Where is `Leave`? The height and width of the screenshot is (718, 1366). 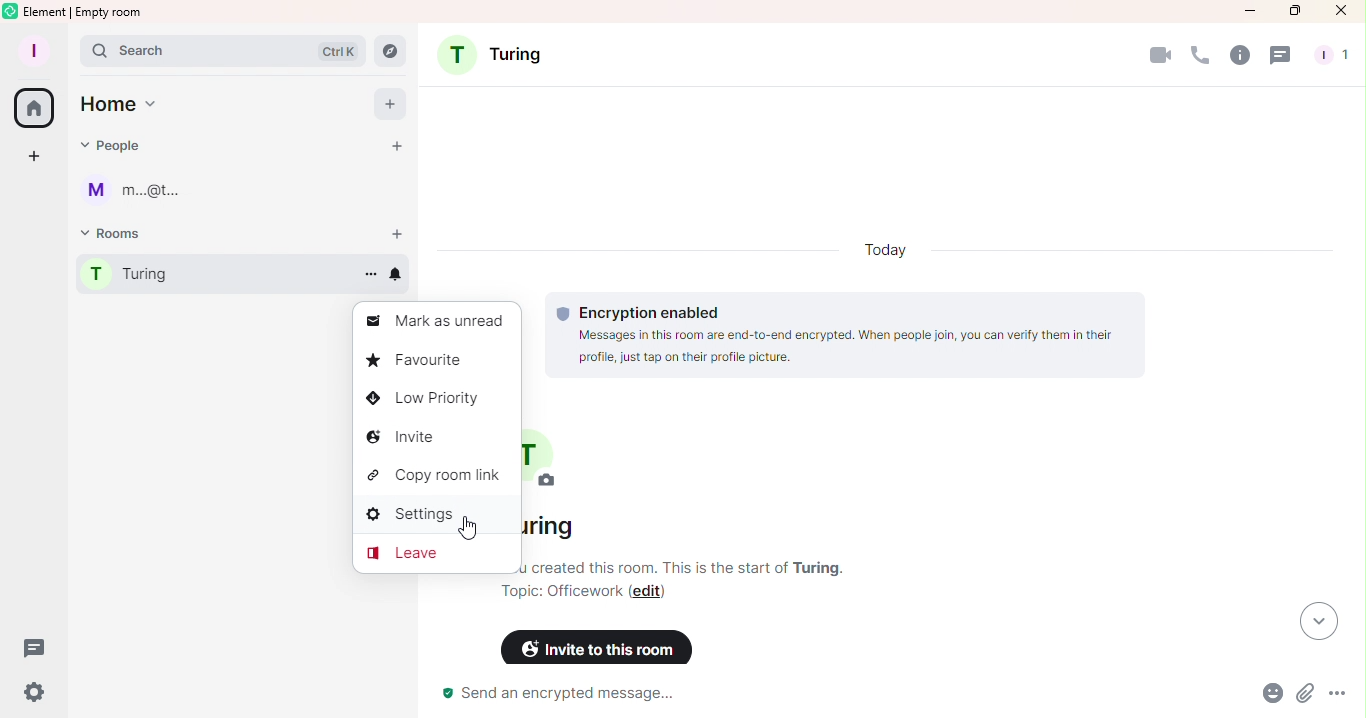
Leave is located at coordinates (401, 556).